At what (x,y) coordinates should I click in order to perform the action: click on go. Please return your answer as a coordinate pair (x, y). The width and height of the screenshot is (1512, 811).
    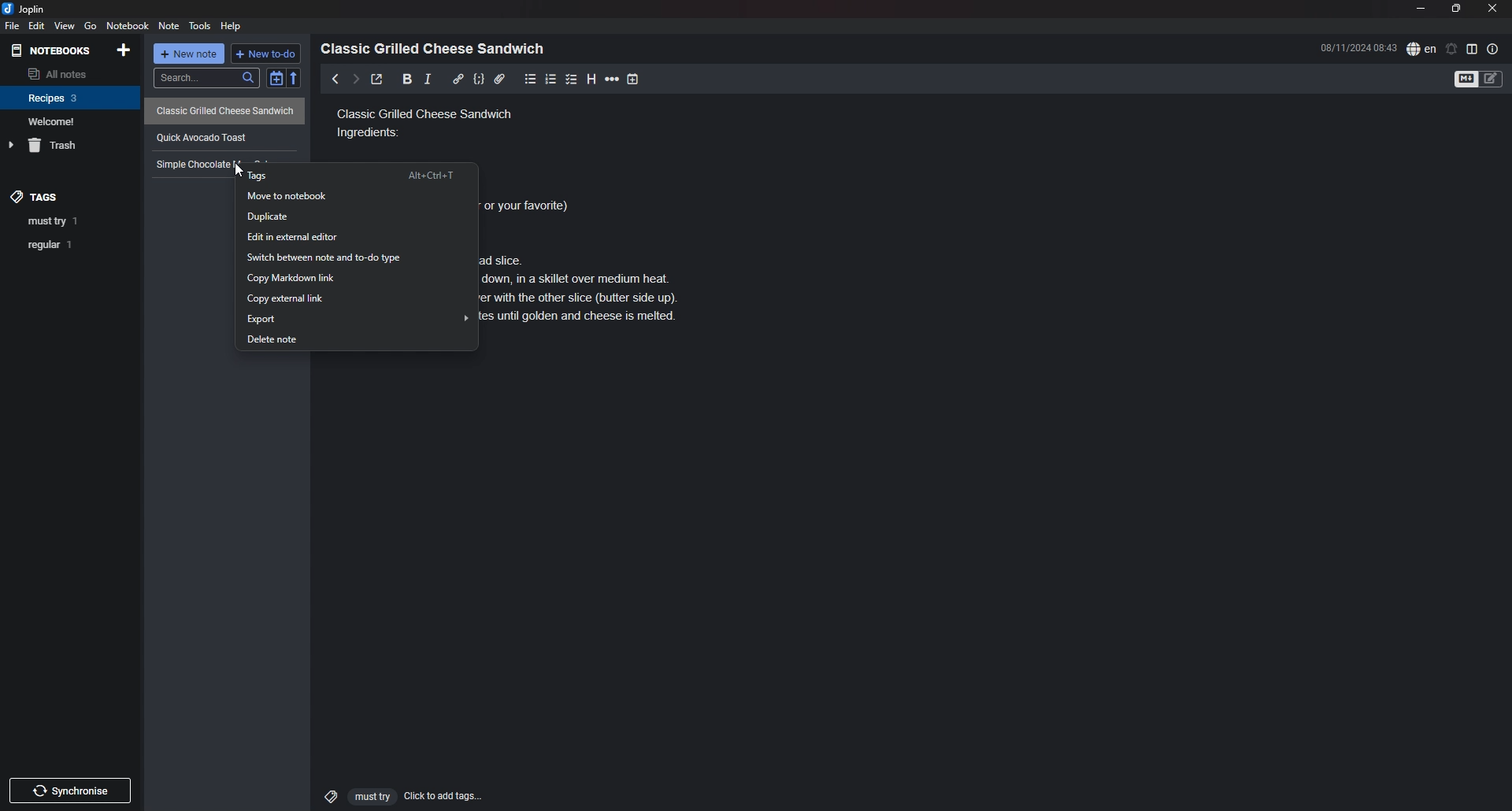
    Looking at the image, I should click on (91, 25).